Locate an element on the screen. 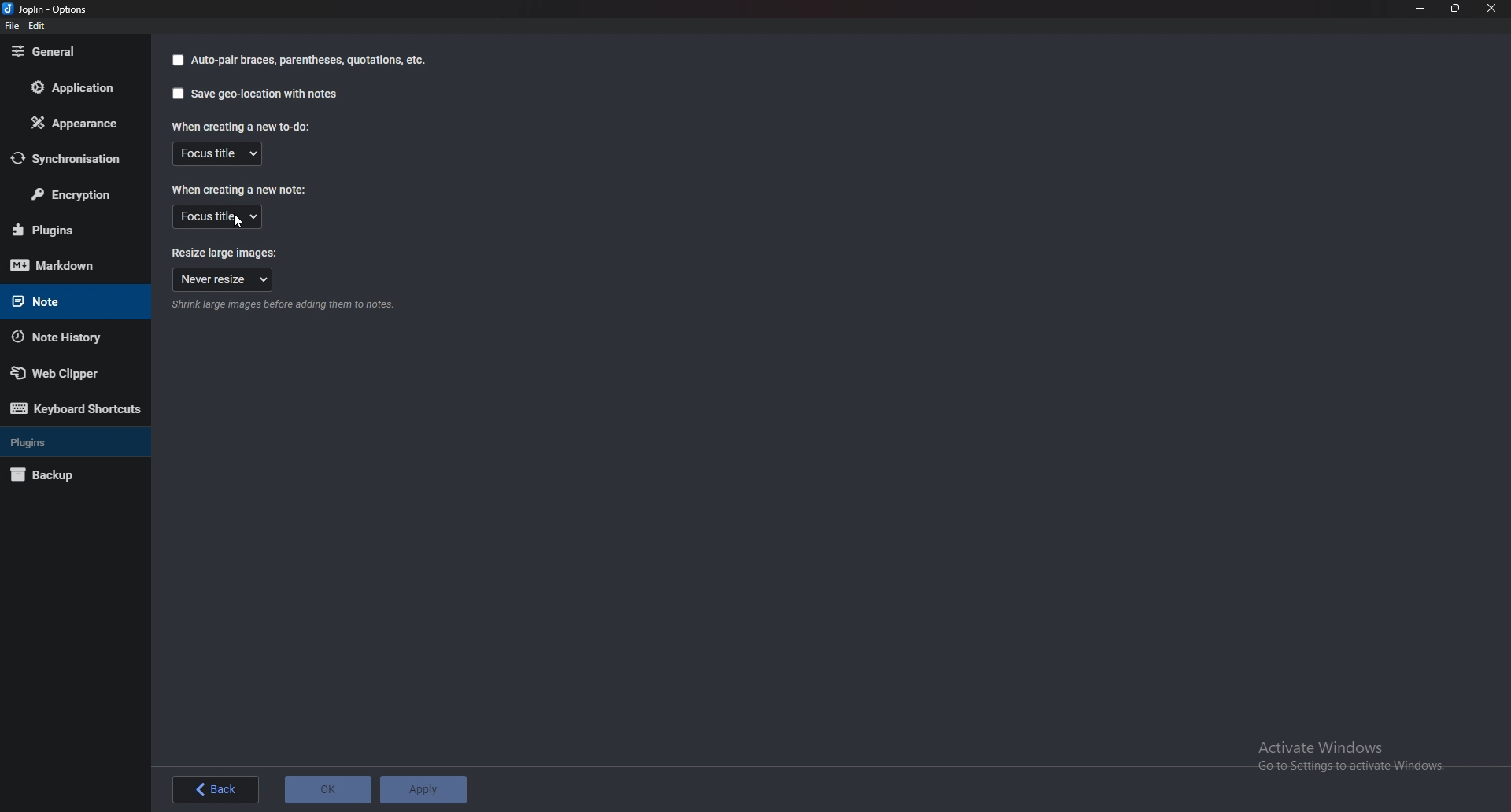 The height and width of the screenshot is (812, 1511). Application is located at coordinates (79, 87).